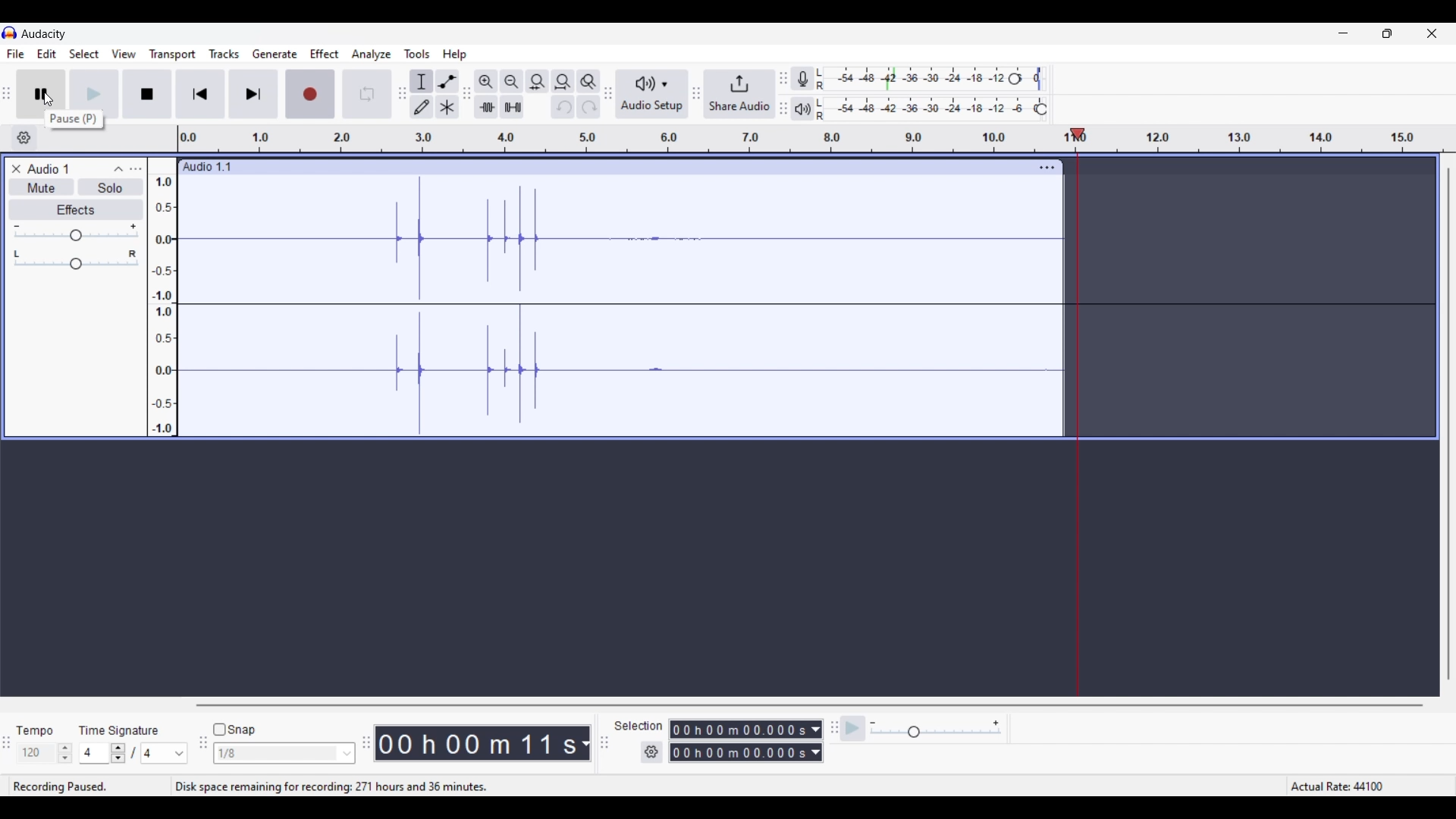 The image size is (1456, 819). What do you see at coordinates (421, 107) in the screenshot?
I see `Draw tool` at bounding box center [421, 107].